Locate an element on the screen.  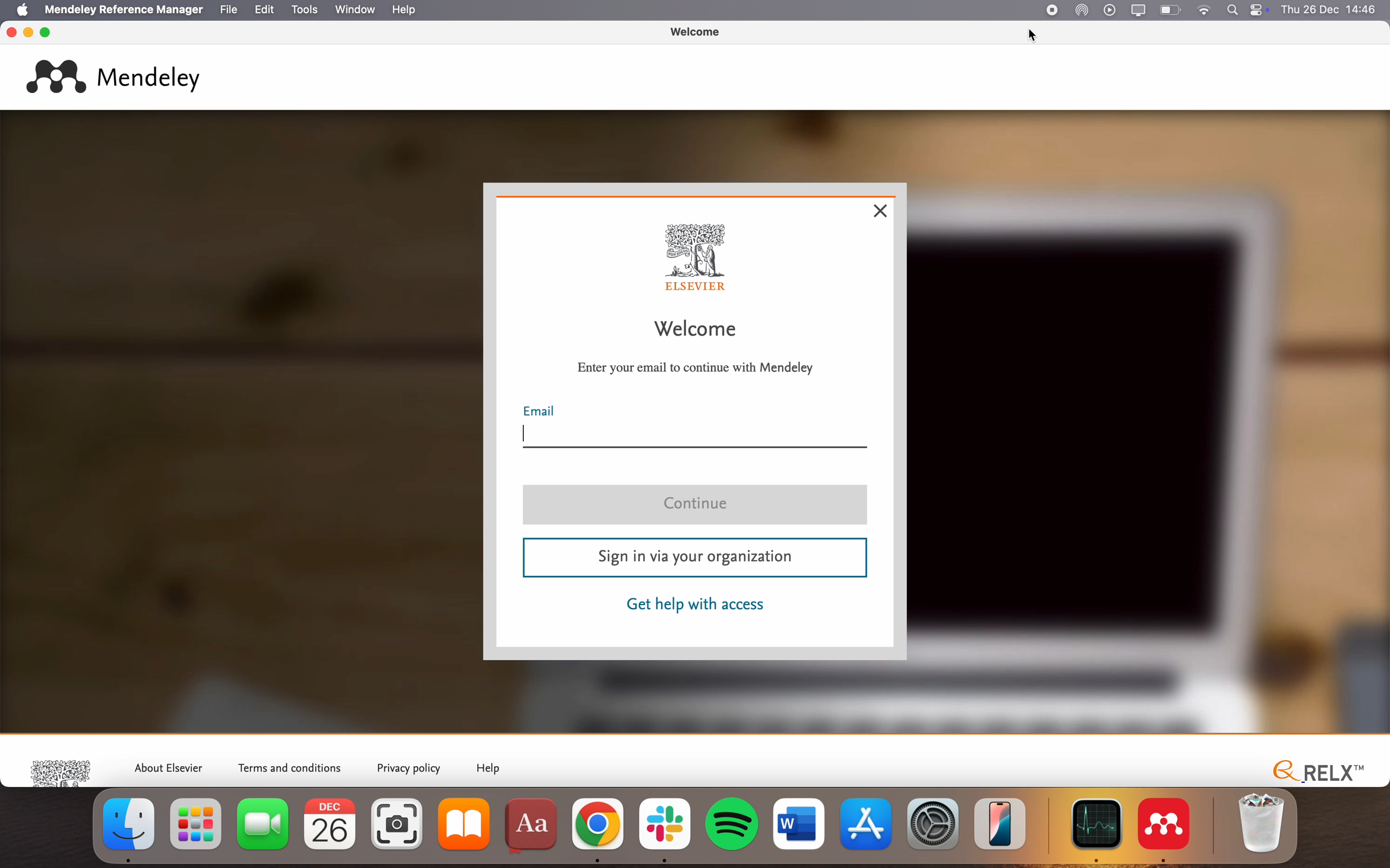
Thu 26 Dec  14:46 is located at coordinates (1334, 10).